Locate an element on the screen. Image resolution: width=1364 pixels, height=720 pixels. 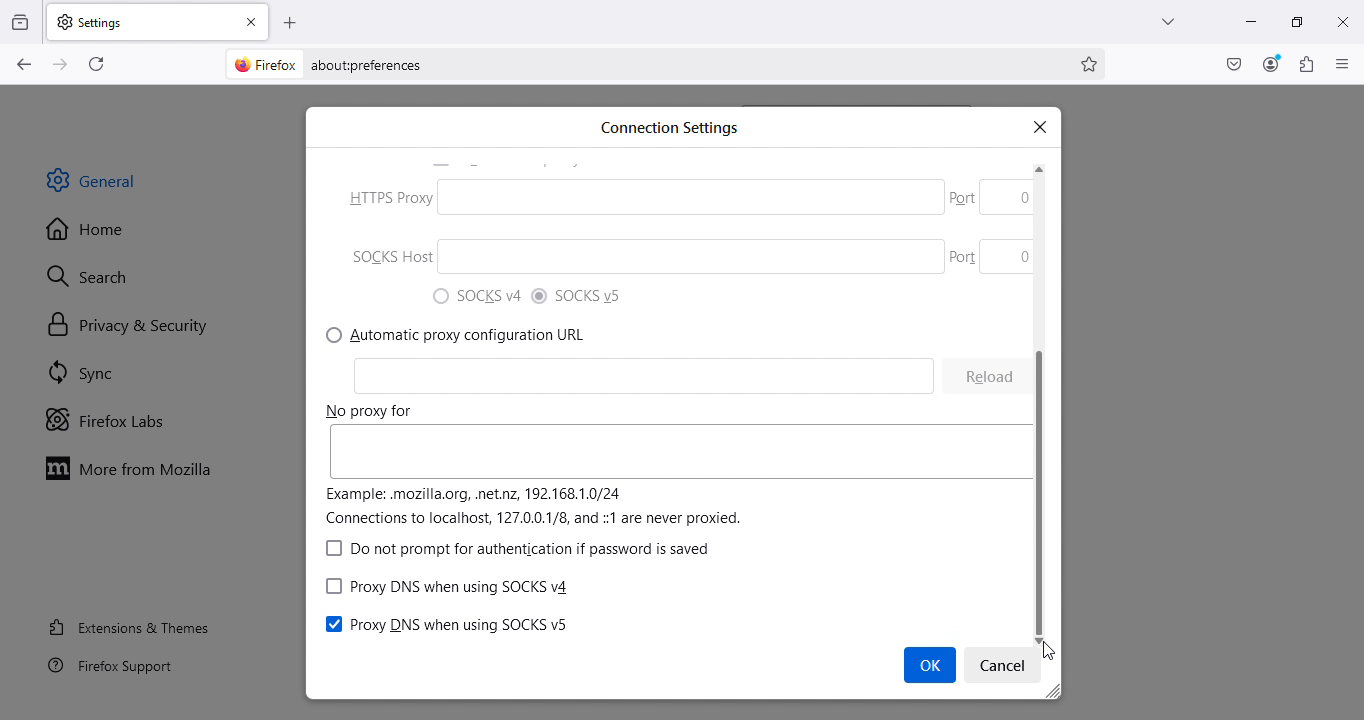
Open a new tab is located at coordinates (291, 22).